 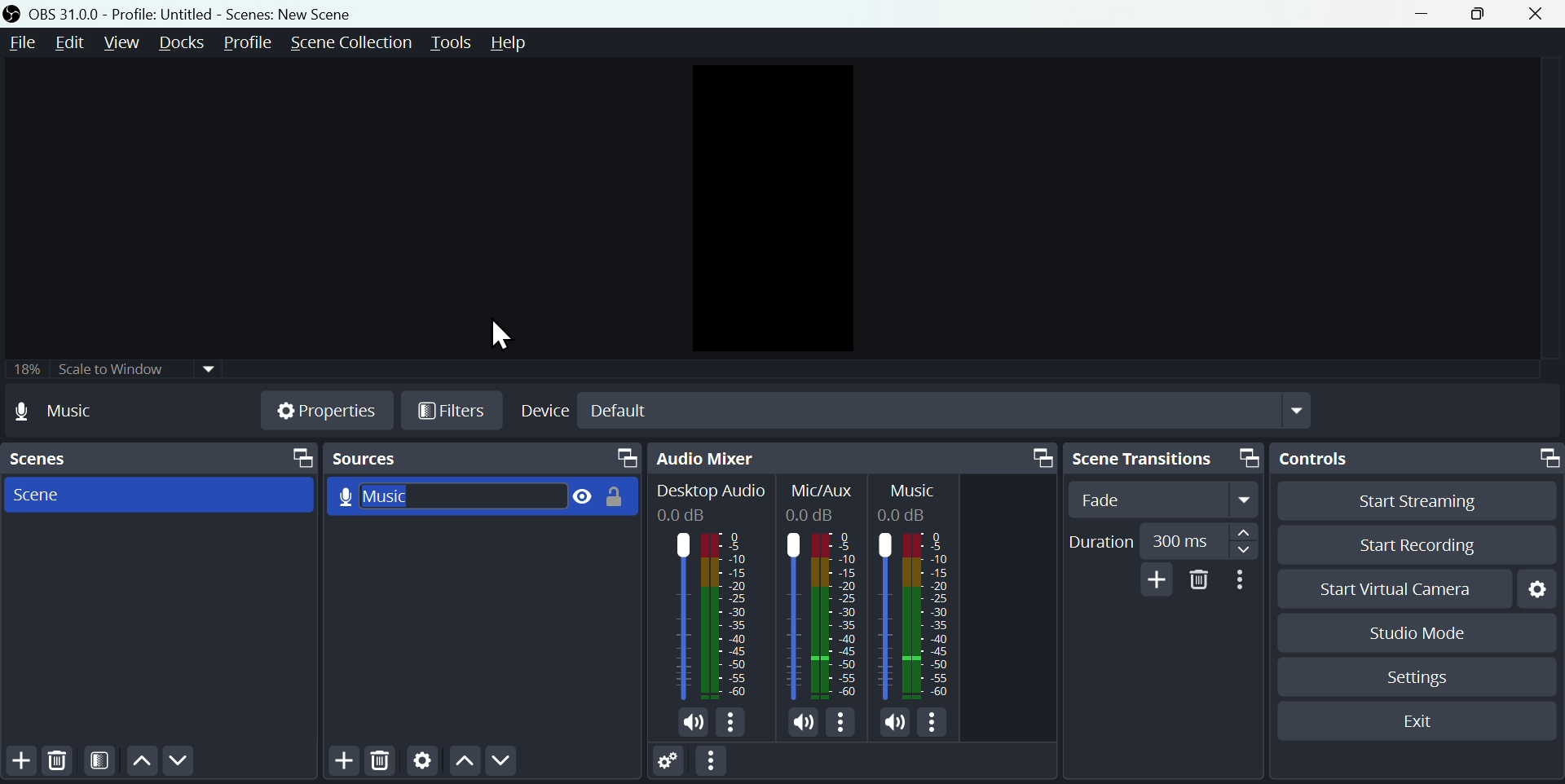 What do you see at coordinates (1417, 540) in the screenshot?
I see `Start recording` at bounding box center [1417, 540].